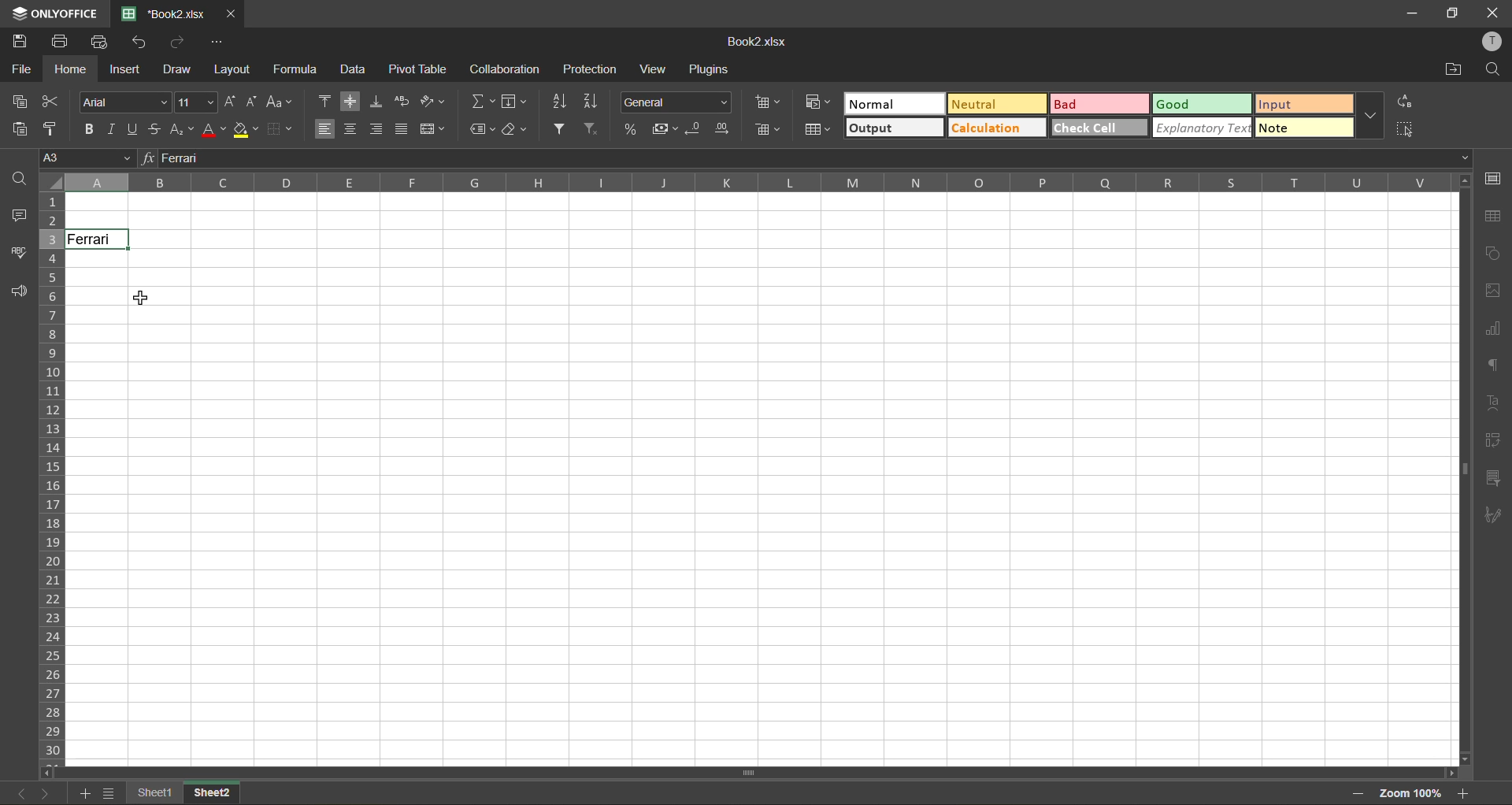  Describe the element at coordinates (754, 42) in the screenshot. I see `file name` at that location.